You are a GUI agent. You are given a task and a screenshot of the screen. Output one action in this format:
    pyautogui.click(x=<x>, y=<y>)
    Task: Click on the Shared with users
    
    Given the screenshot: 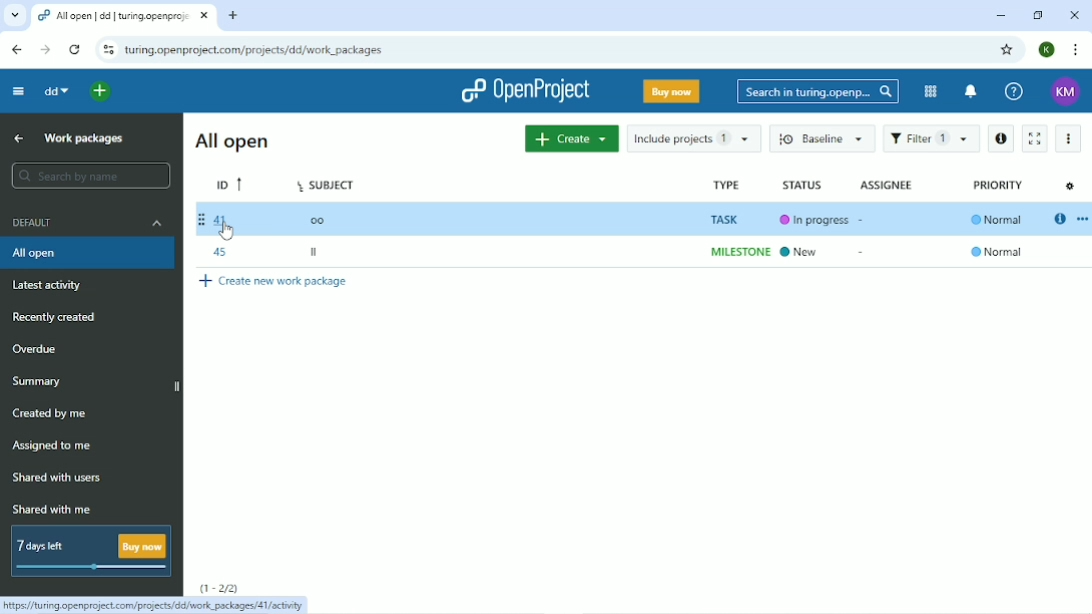 What is the action you would take?
    pyautogui.click(x=61, y=478)
    